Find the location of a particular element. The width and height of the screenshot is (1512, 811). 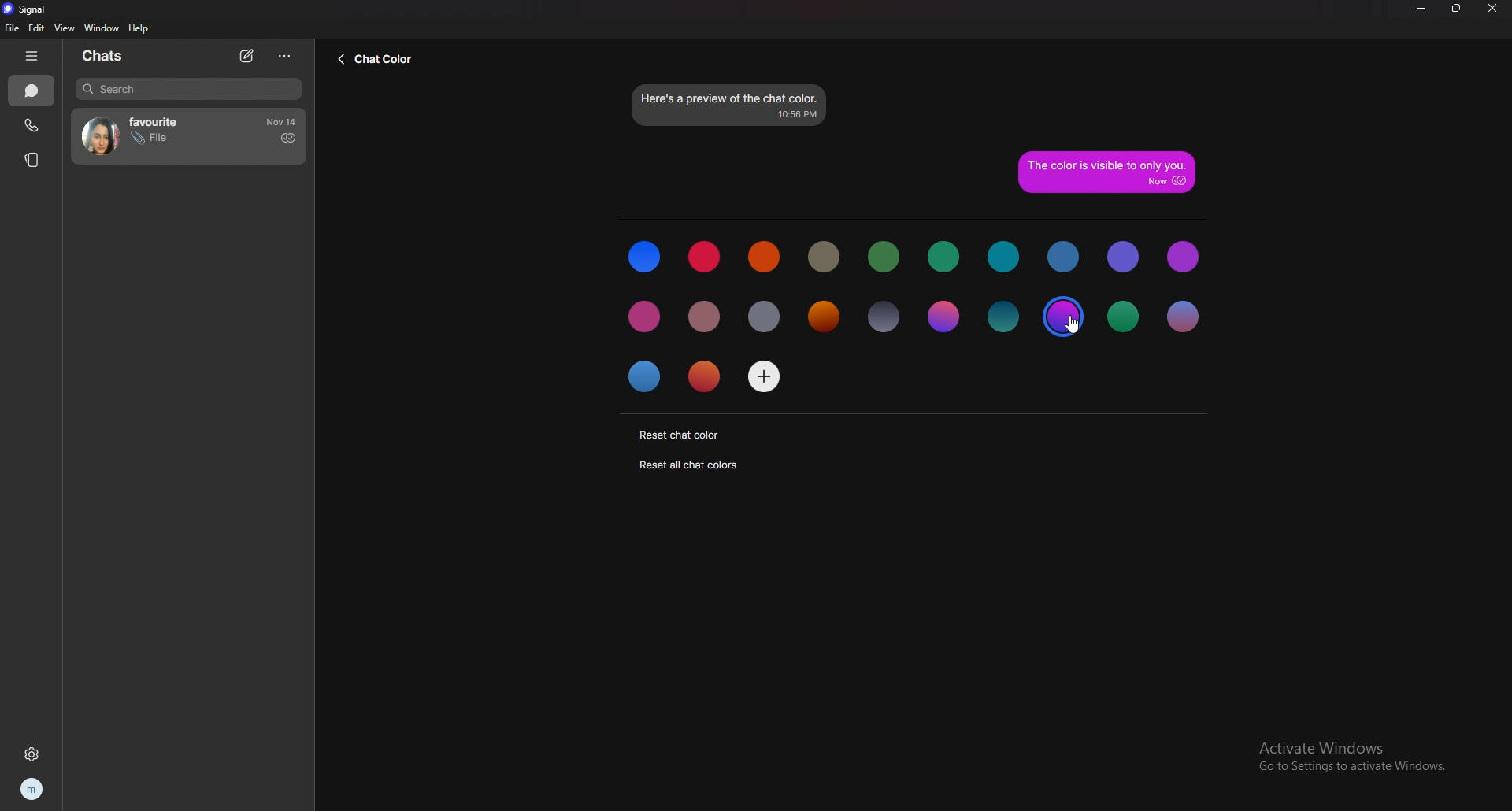

color is located at coordinates (1002, 319).